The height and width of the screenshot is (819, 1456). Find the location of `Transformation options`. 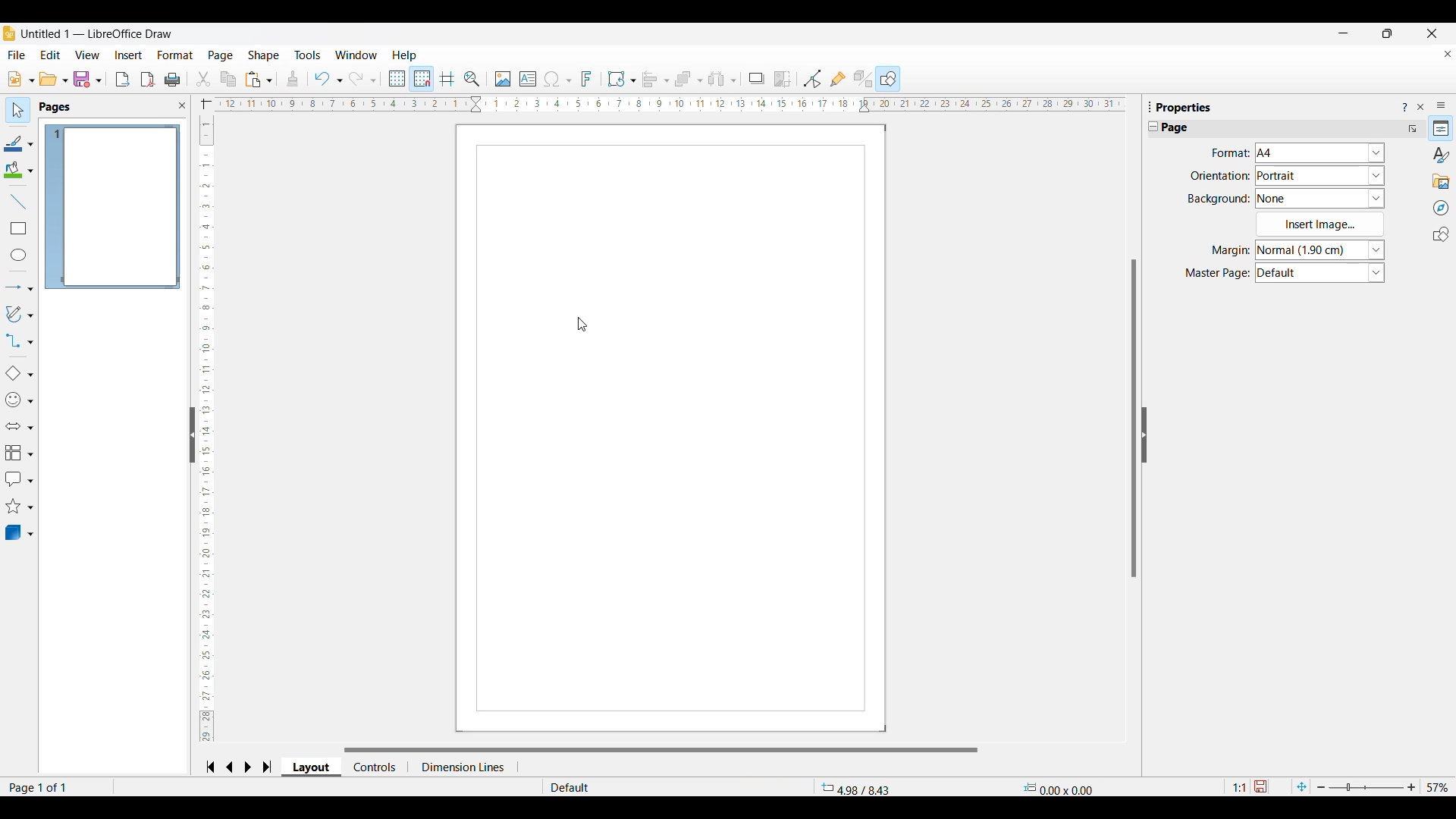

Transformation options is located at coordinates (622, 79).